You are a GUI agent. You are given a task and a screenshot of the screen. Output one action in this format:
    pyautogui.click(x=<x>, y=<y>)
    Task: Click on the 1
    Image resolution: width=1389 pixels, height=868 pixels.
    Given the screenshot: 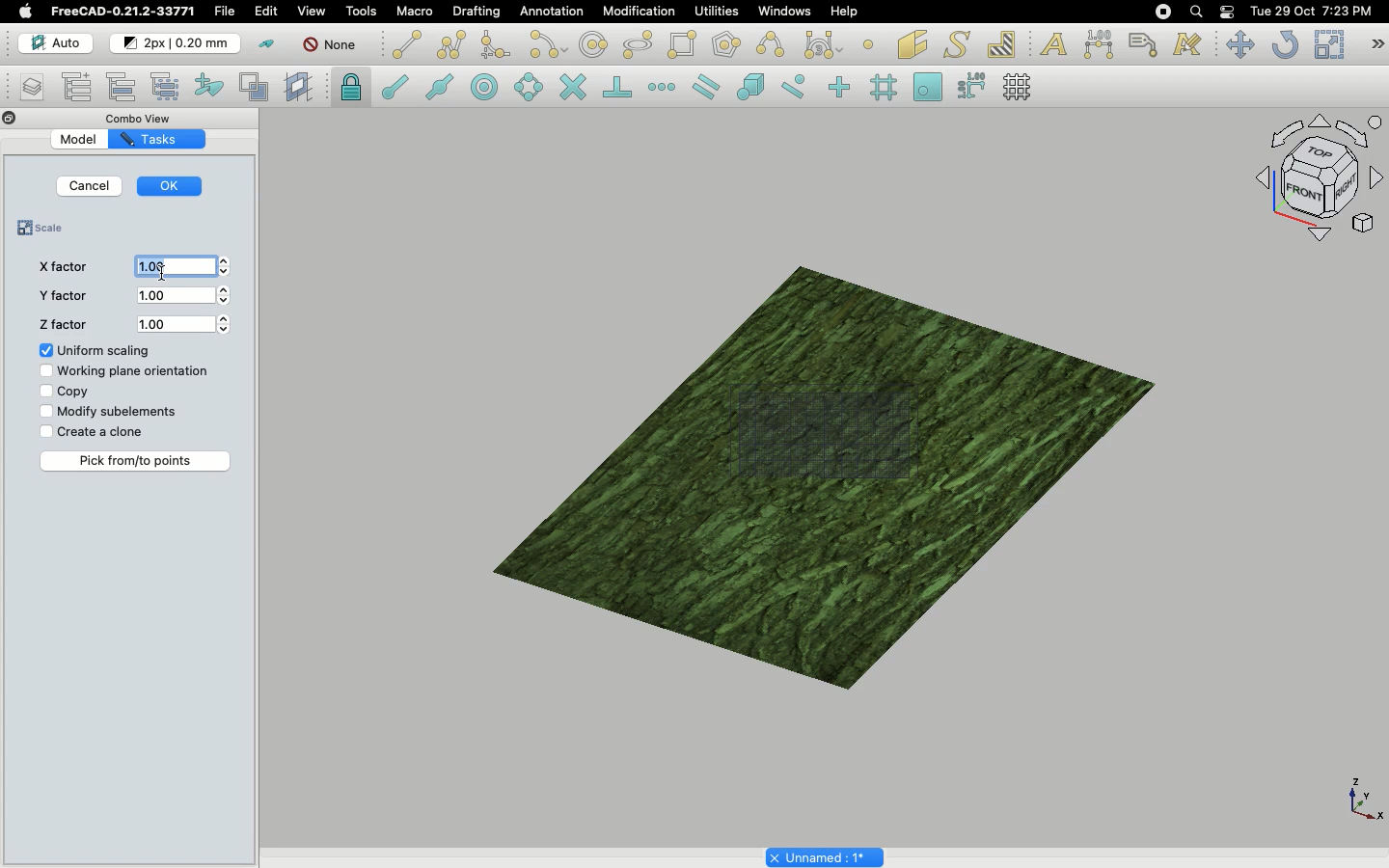 What is the action you would take?
    pyautogui.click(x=187, y=297)
    